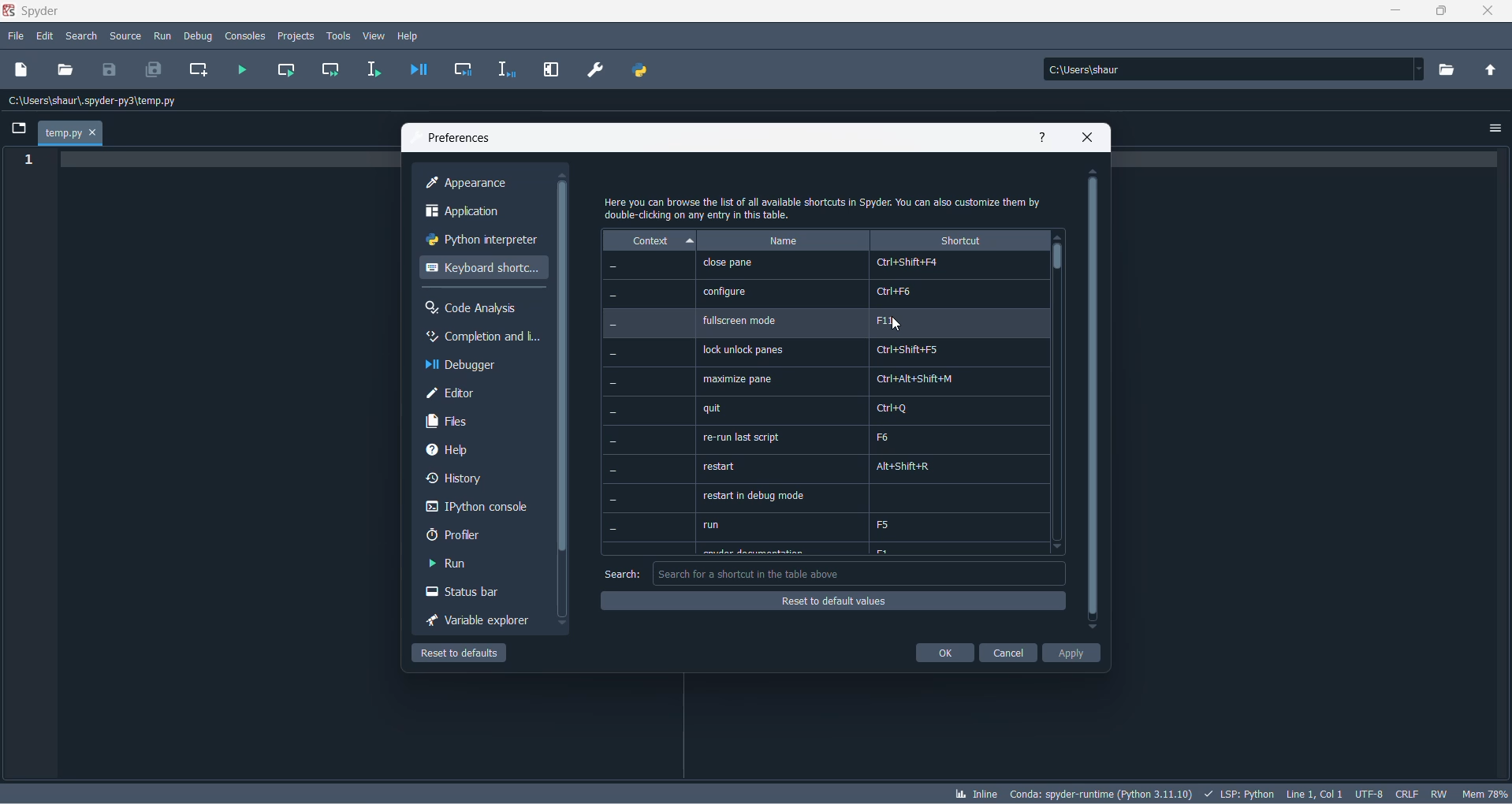 Image resolution: width=1512 pixels, height=804 pixels. Describe the element at coordinates (906, 262) in the screenshot. I see `Ctrl+Shift+F4` at that location.